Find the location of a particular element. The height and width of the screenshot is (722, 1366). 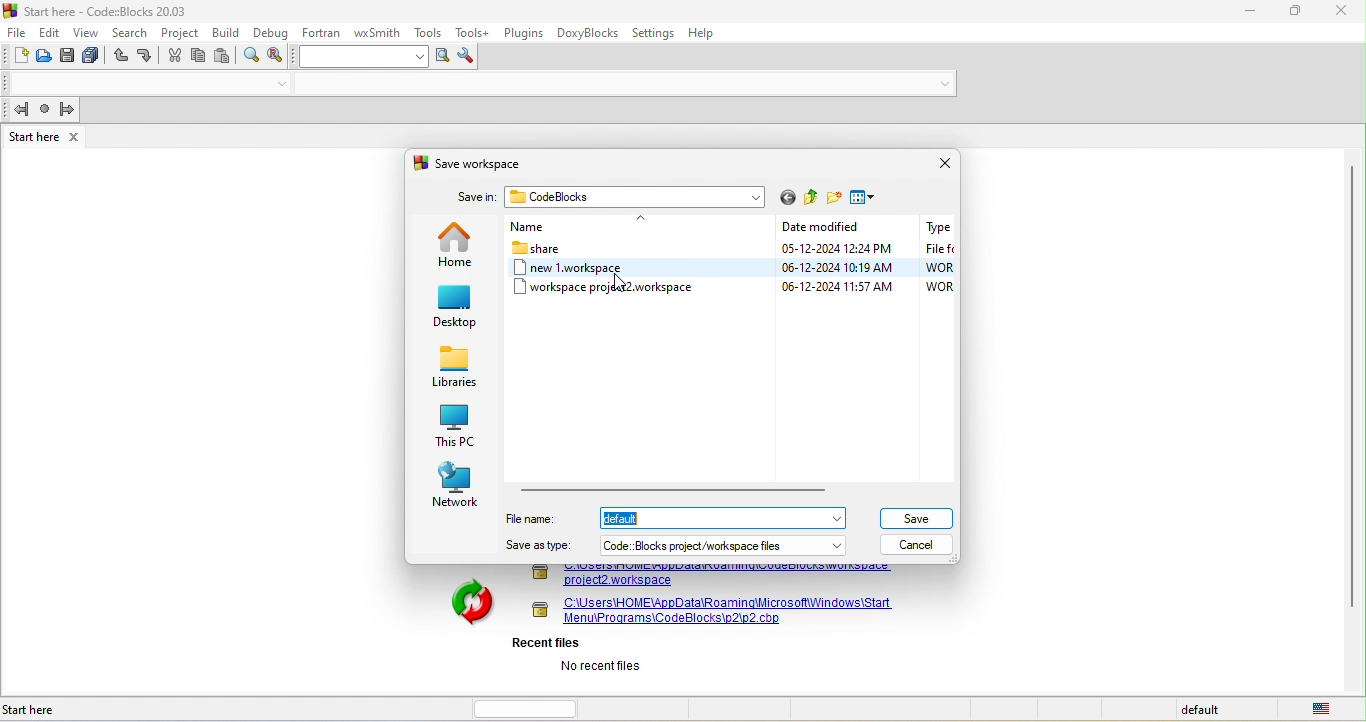

open is located at coordinates (46, 59).